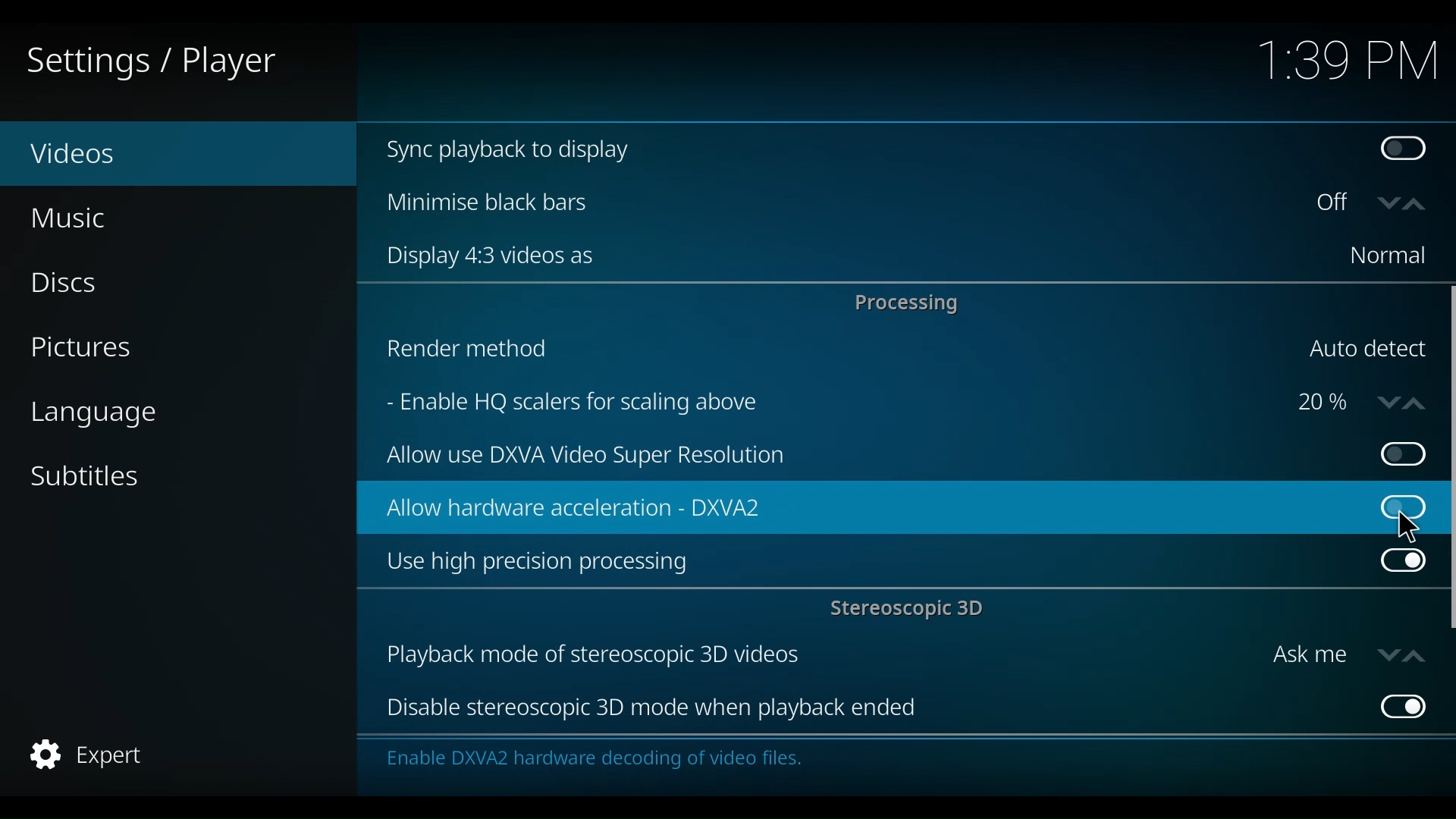 The height and width of the screenshot is (819, 1456). What do you see at coordinates (93, 415) in the screenshot?
I see `language` at bounding box center [93, 415].